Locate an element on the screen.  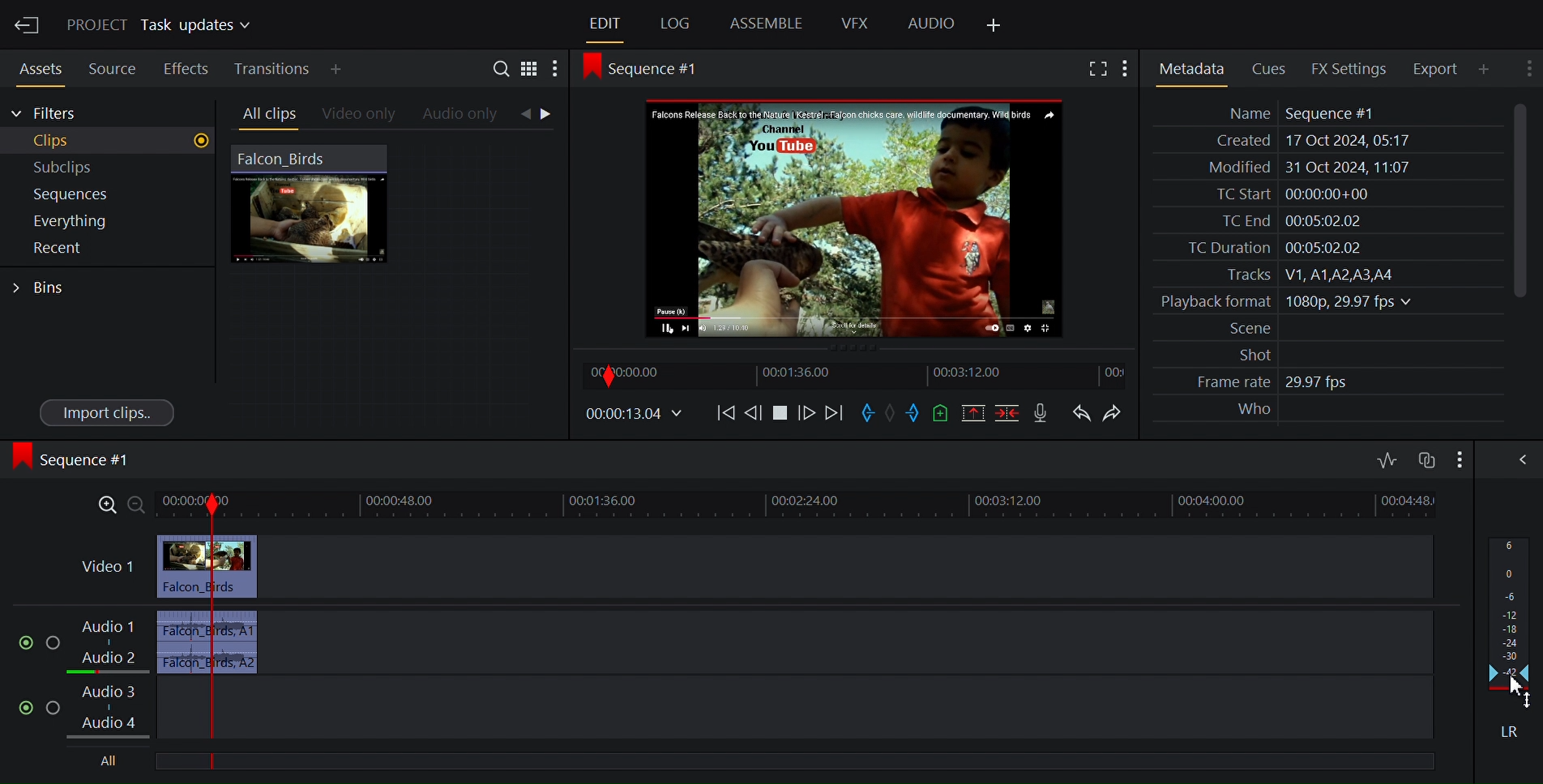
TC End  00:05:02.02 is located at coordinates (1283, 221).